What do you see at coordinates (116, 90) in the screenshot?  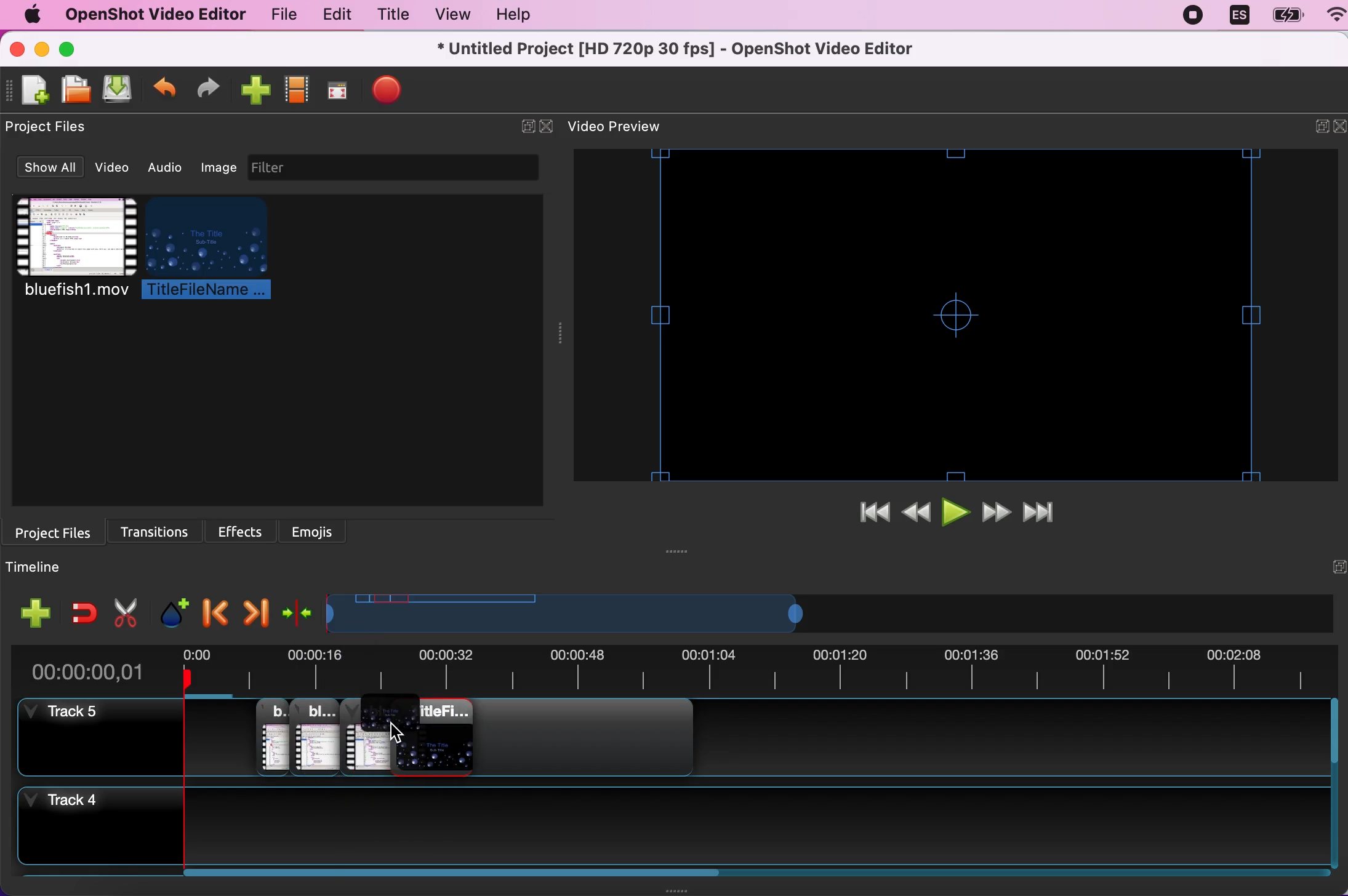 I see `save project` at bounding box center [116, 90].